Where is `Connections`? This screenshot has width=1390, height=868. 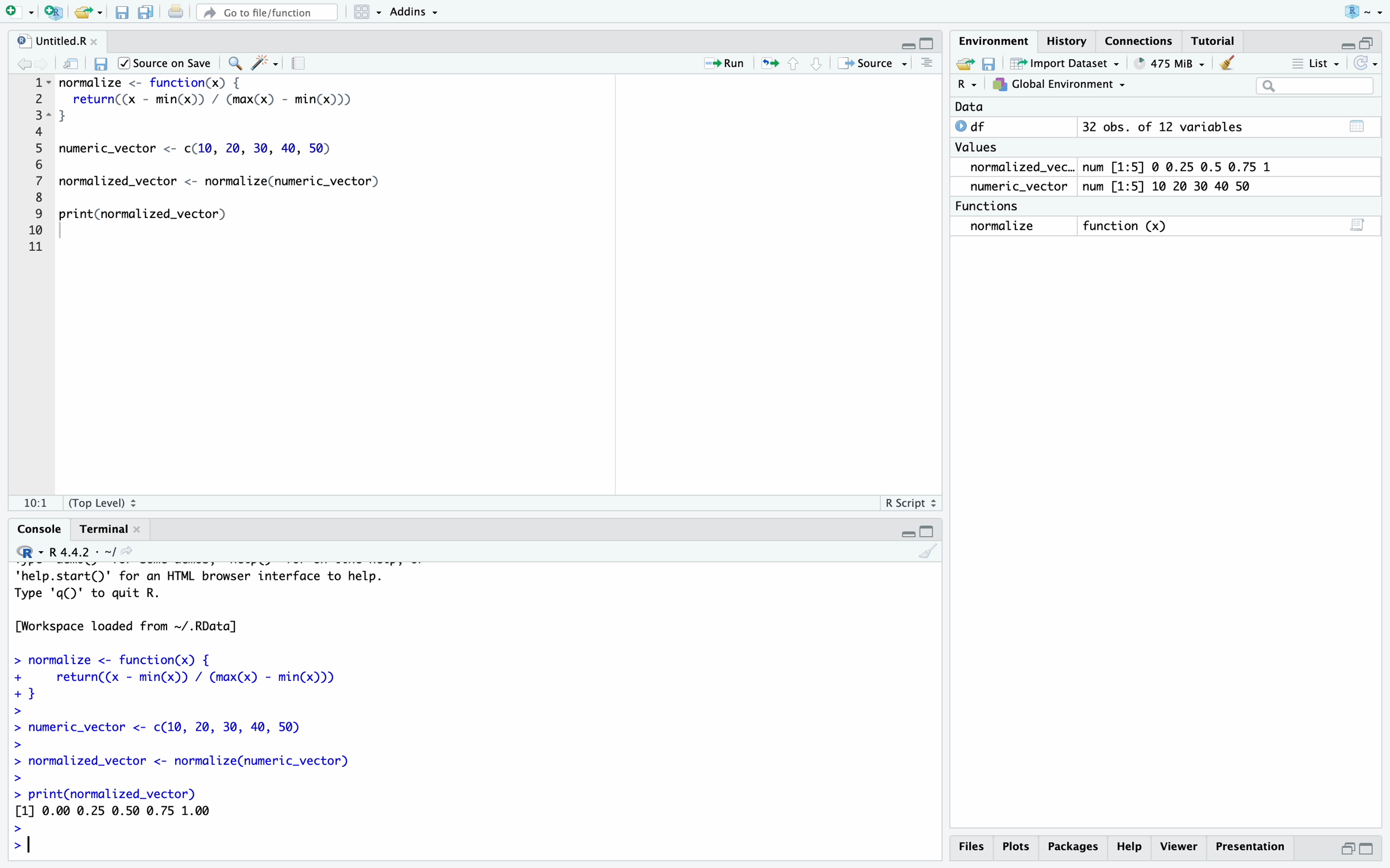
Connections is located at coordinates (1138, 39).